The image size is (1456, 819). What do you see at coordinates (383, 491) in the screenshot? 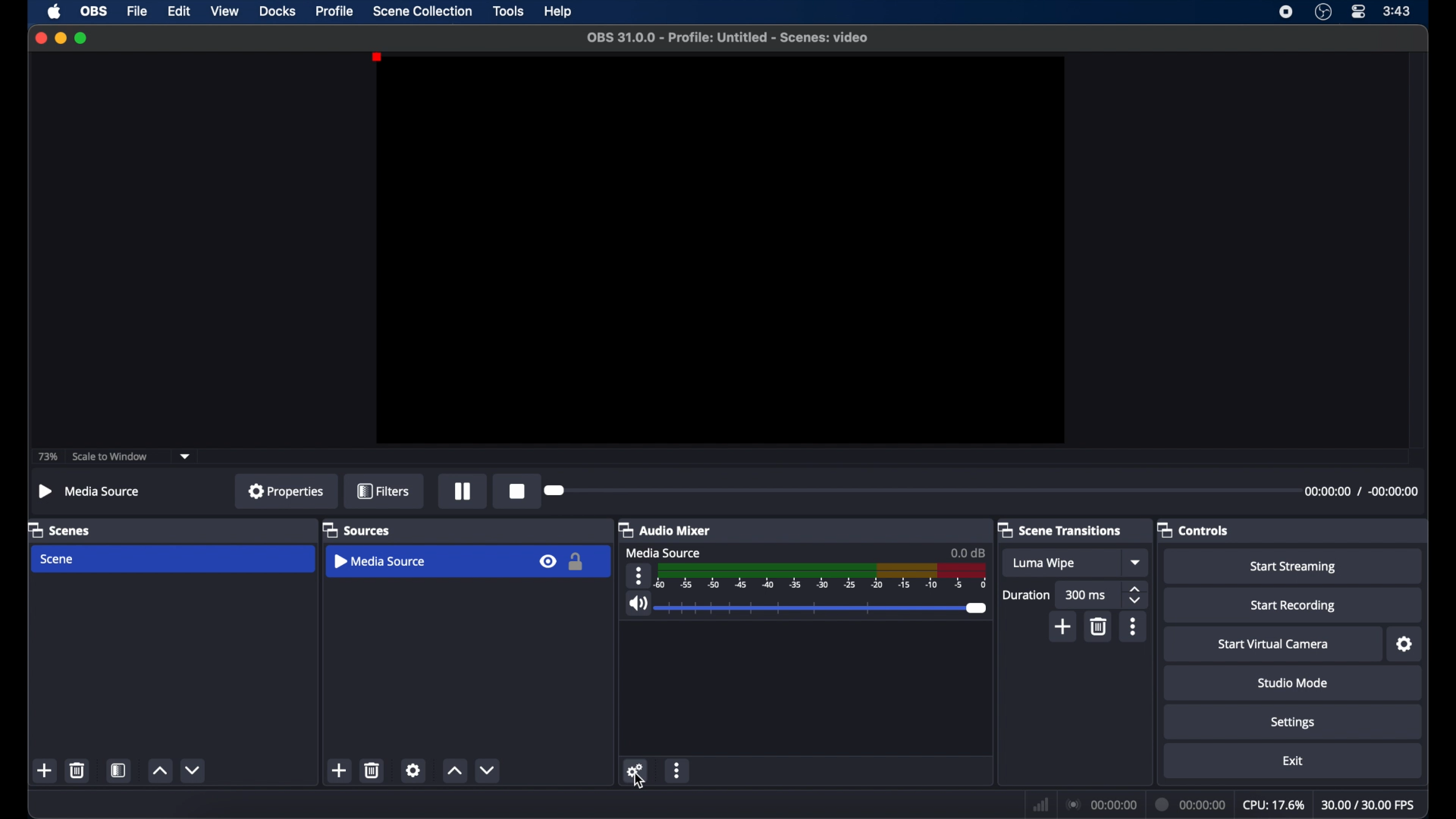
I see `filters` at bounding box center [383, 491].